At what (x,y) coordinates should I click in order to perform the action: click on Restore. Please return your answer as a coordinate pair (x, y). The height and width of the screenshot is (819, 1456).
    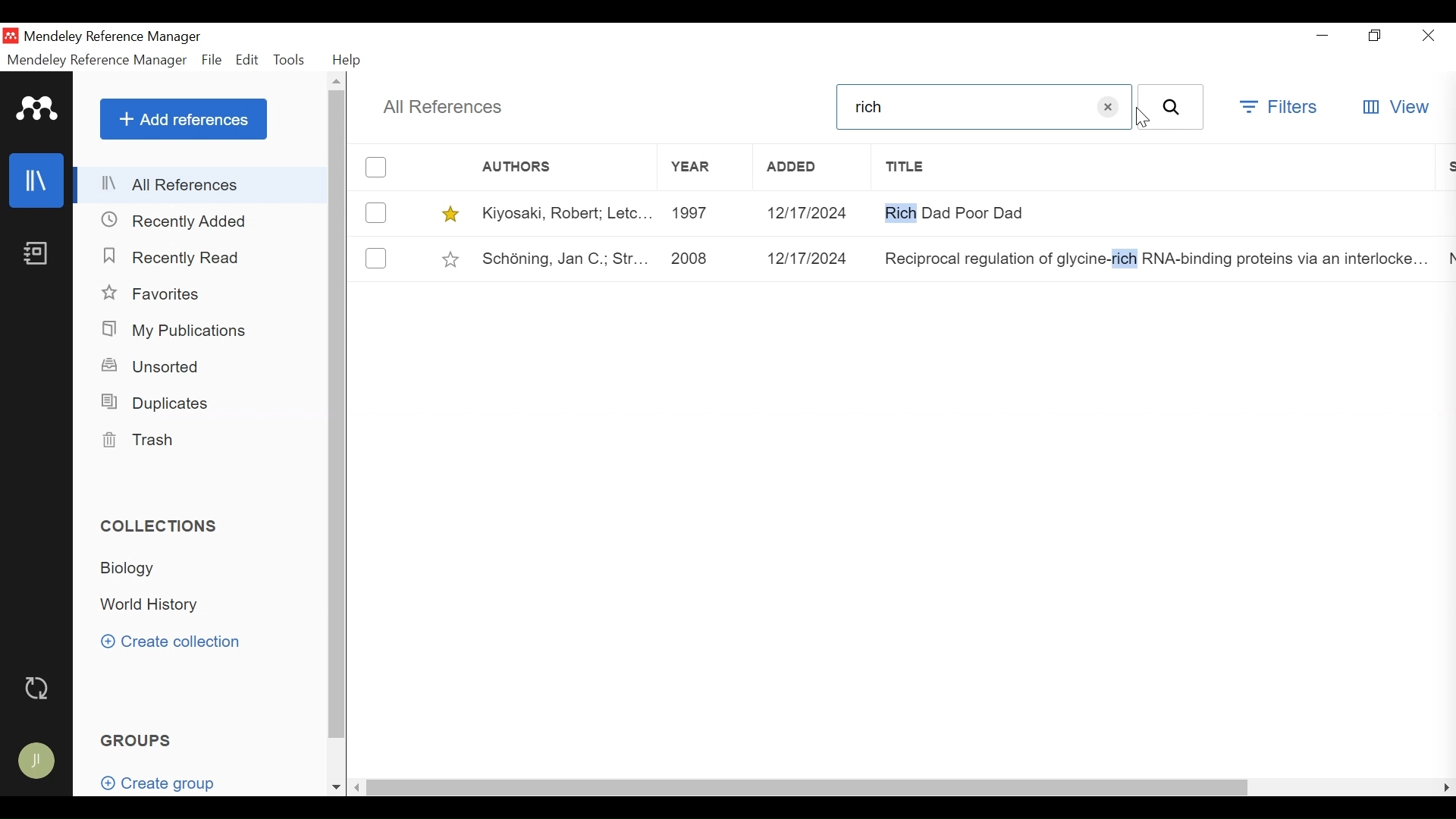
    Looking at the image, I should click on (1375, 36).